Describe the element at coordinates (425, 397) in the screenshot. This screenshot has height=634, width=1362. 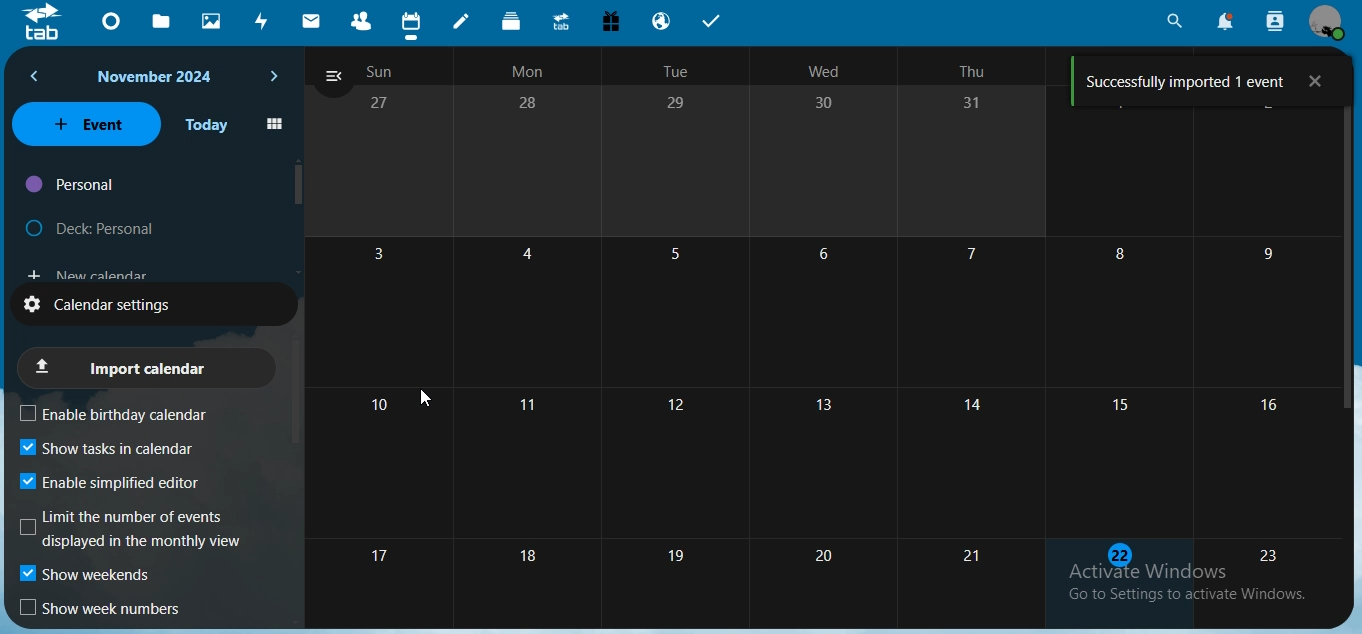
I see `cursor` at that location.